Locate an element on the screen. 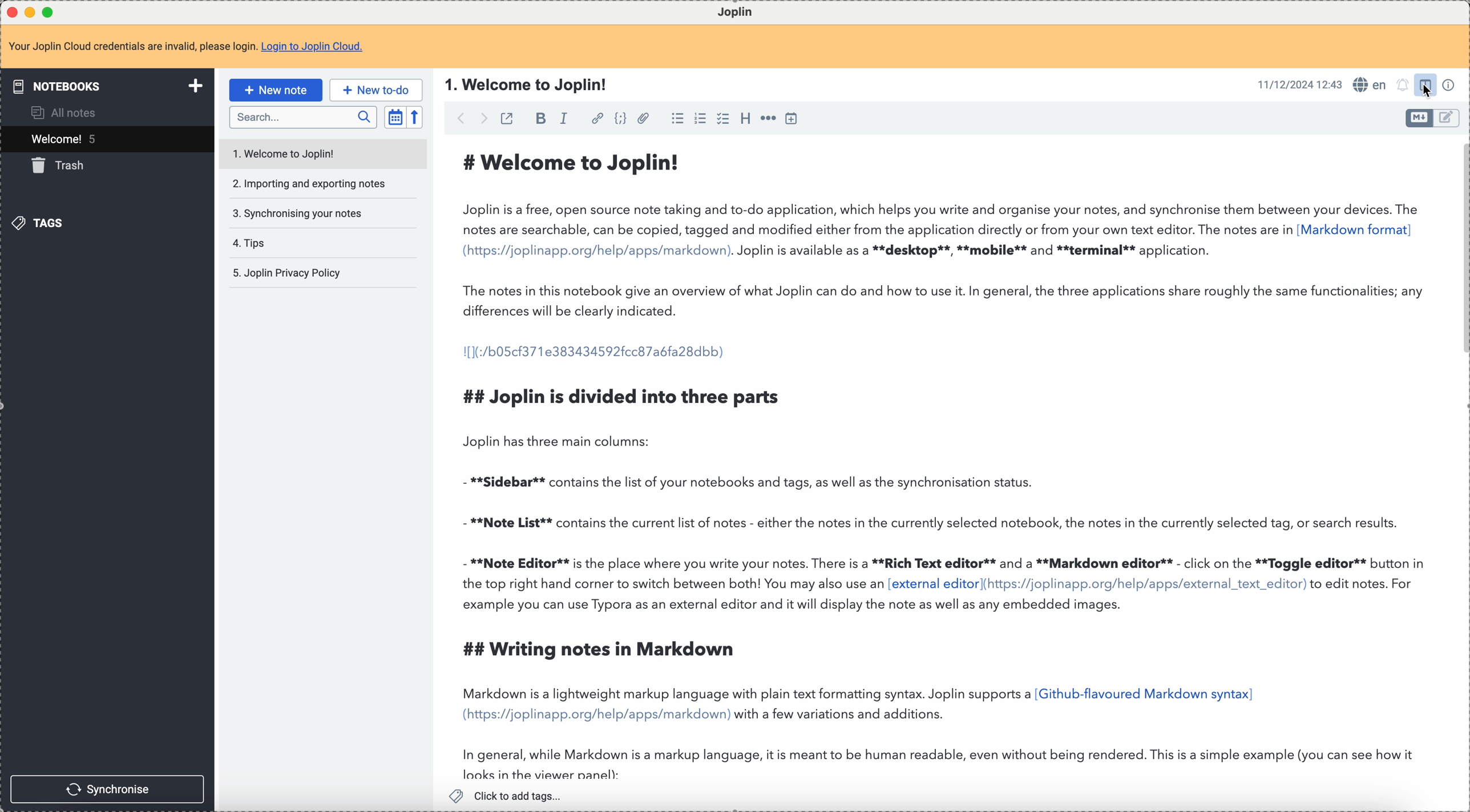 The width and height of the screenshot is (1470, 812). Cursor is located at coordinates (1427, 90).